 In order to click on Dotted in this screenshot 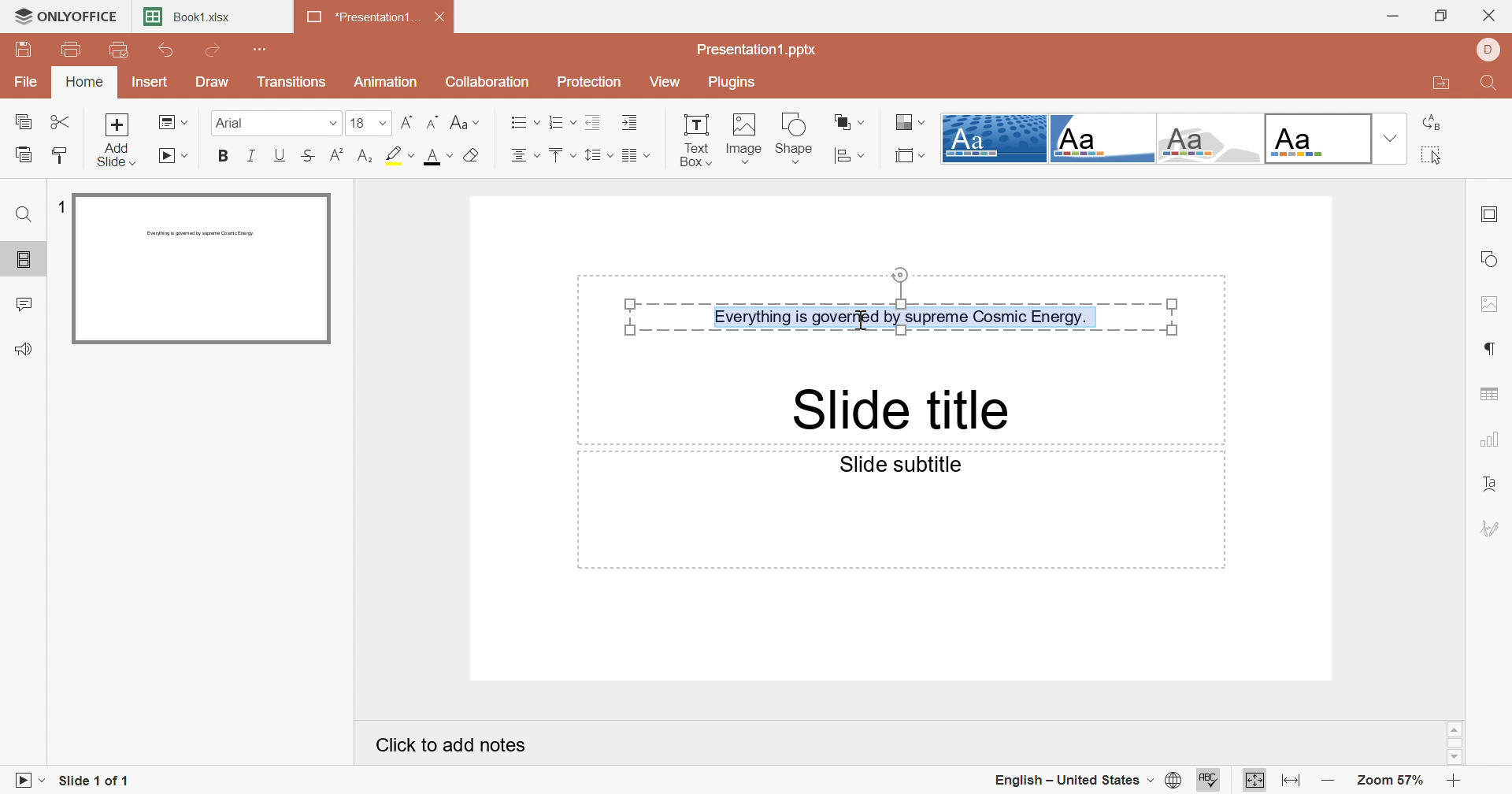, I will do `click(996, 139)`.